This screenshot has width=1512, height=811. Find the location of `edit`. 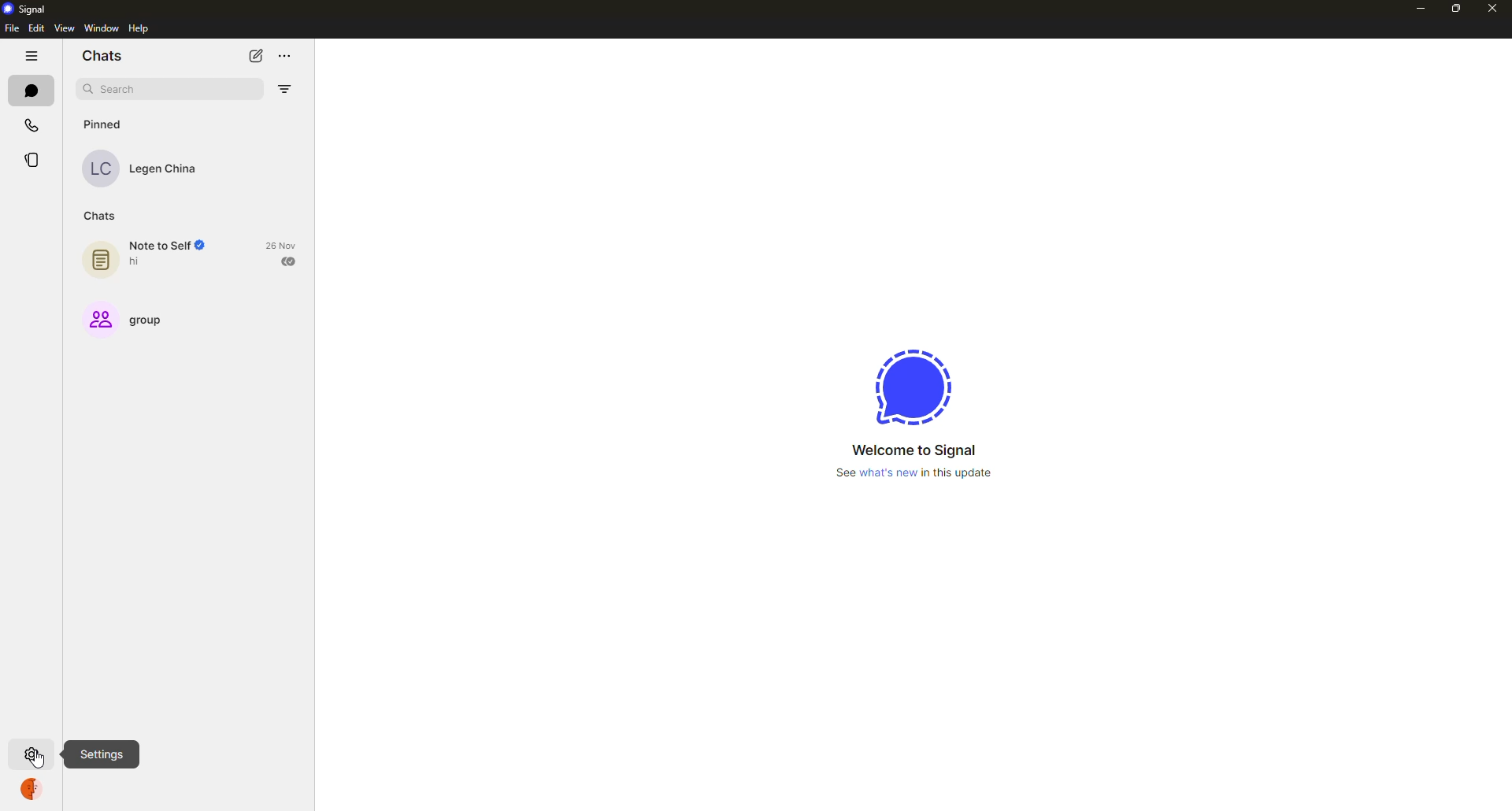

edit is located at coordinates (35, 30).